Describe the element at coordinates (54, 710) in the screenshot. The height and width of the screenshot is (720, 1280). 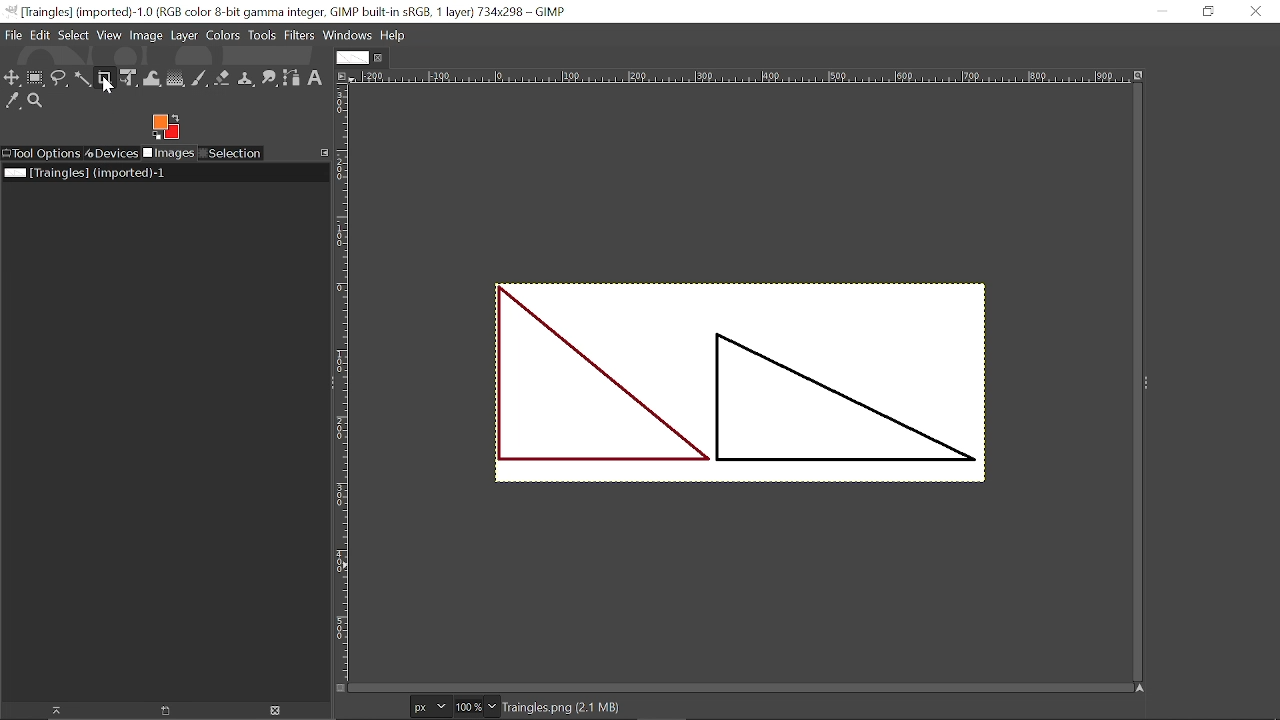
I see `Raise this image display` at that location.